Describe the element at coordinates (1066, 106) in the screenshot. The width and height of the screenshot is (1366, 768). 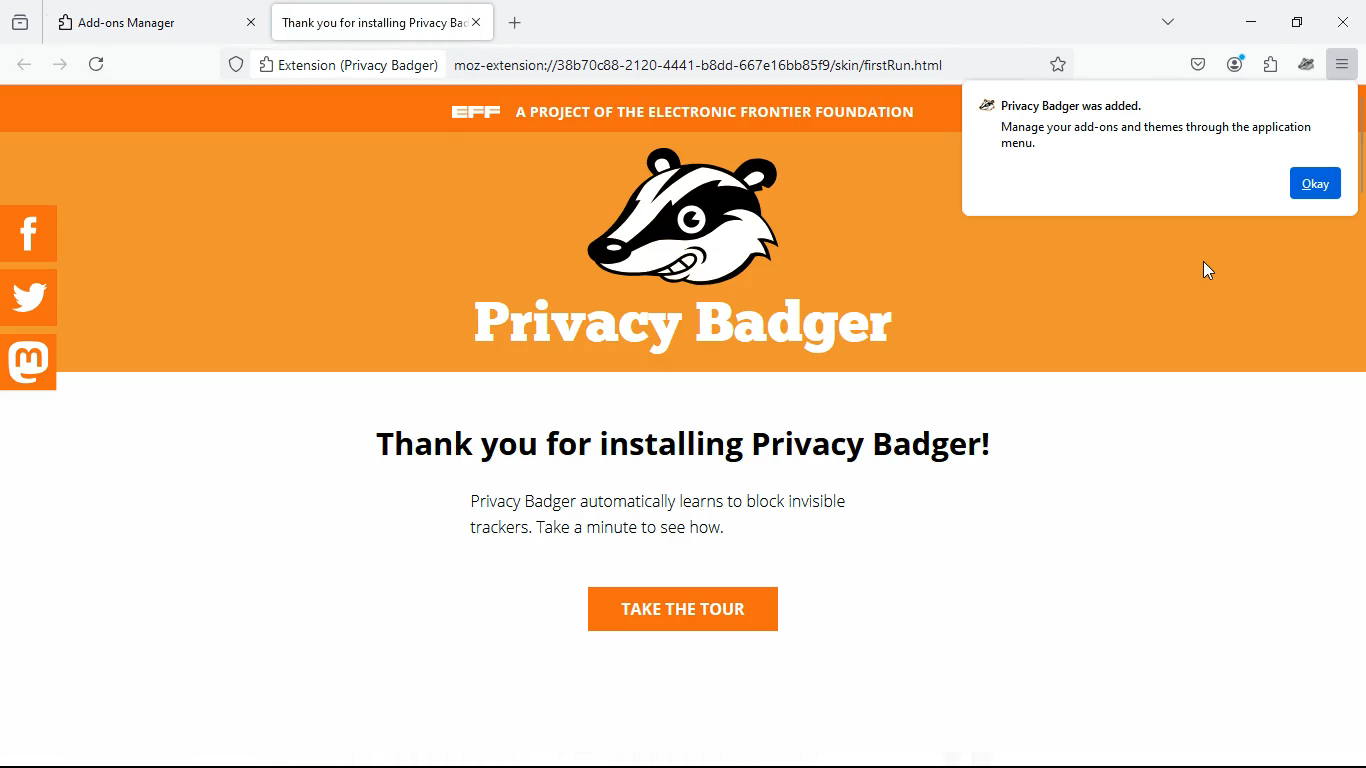
I see `Privacy Badger was added.` at that location.